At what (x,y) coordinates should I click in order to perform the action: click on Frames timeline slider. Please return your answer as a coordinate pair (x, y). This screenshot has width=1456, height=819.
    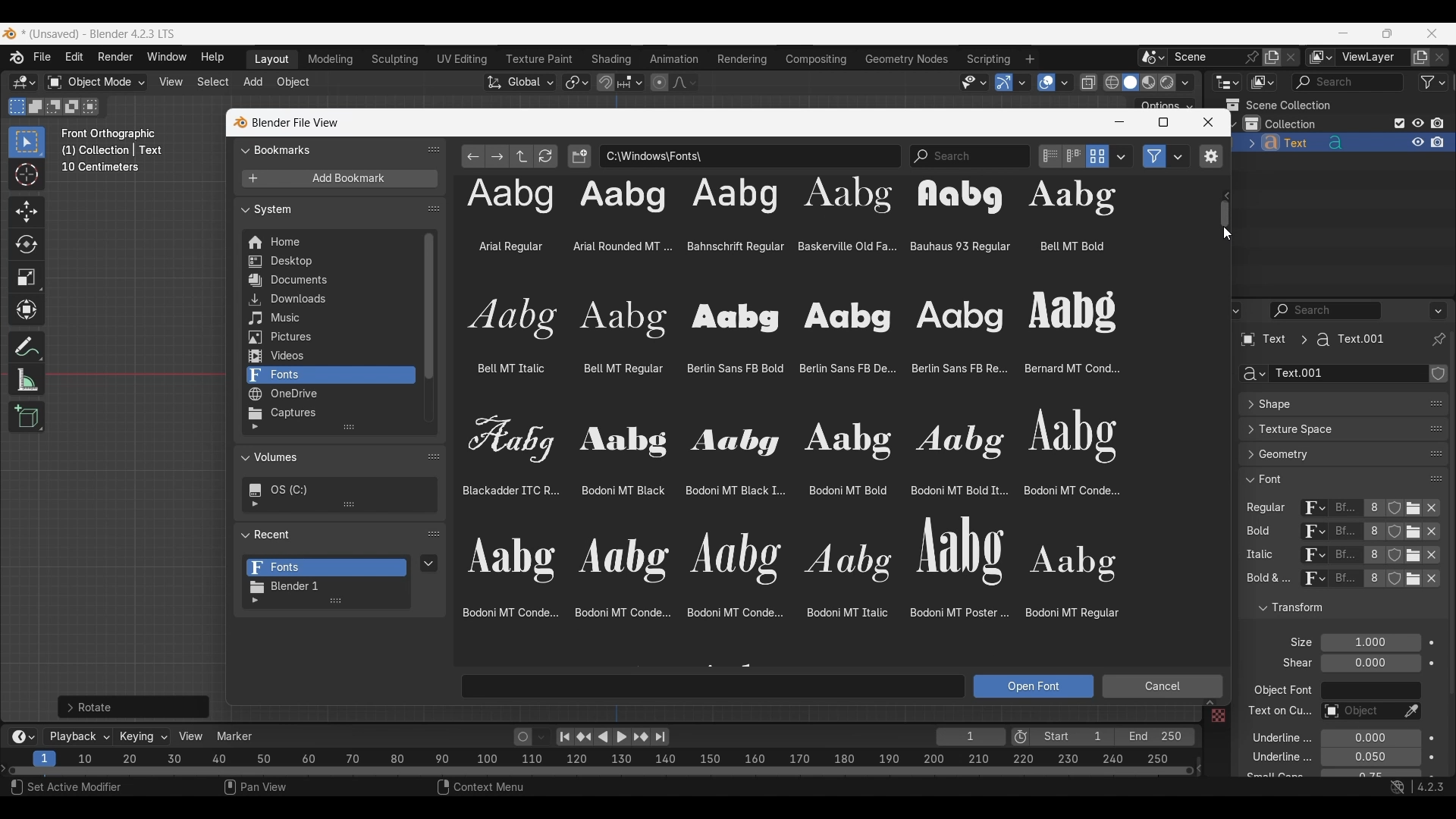
    Looking at the image, I should click on (600, 772).